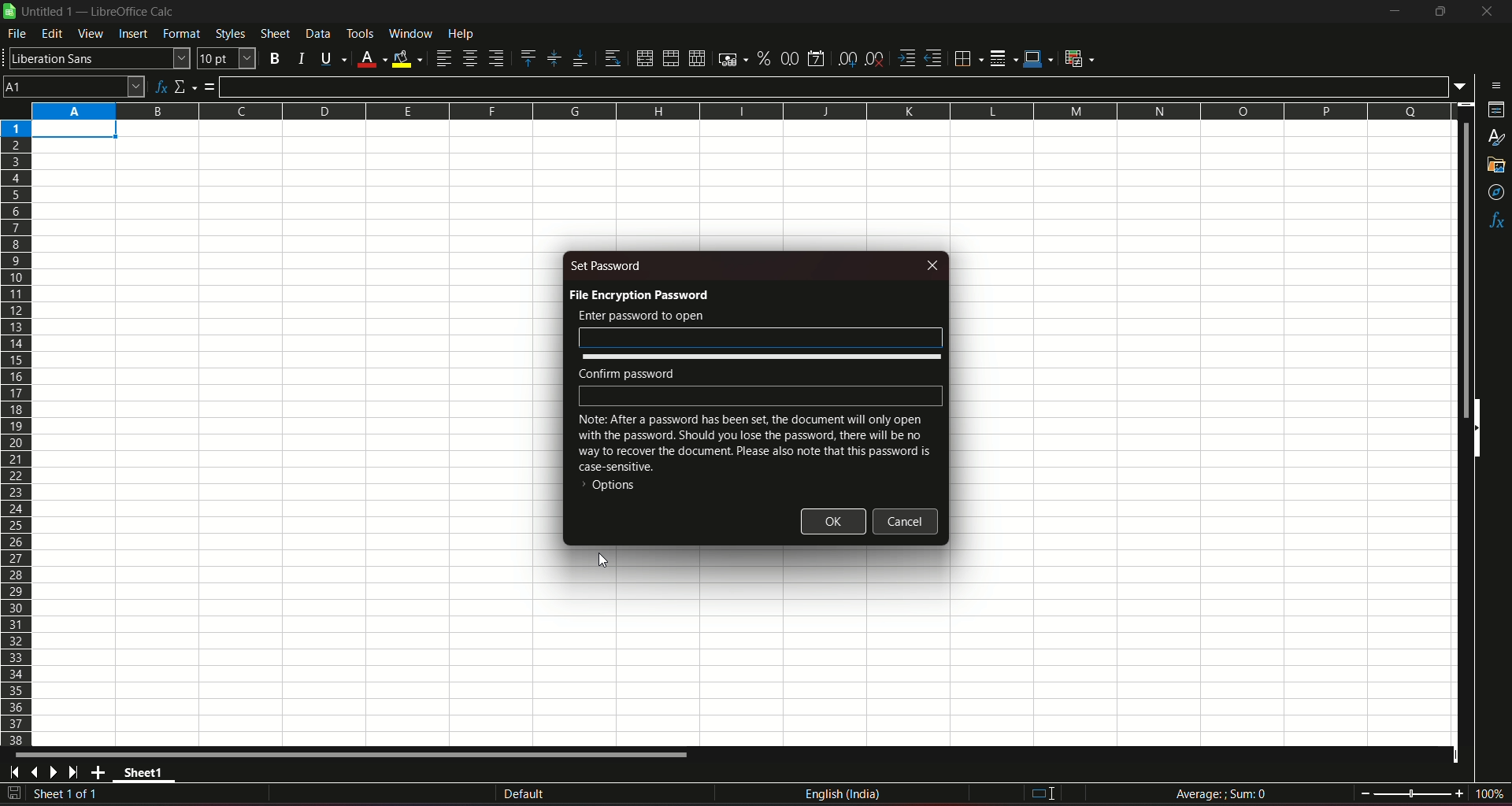  What do you see at coordinates (671, 57) in the screenshot?
I see `merge cells` at bounding box center [671, 57].